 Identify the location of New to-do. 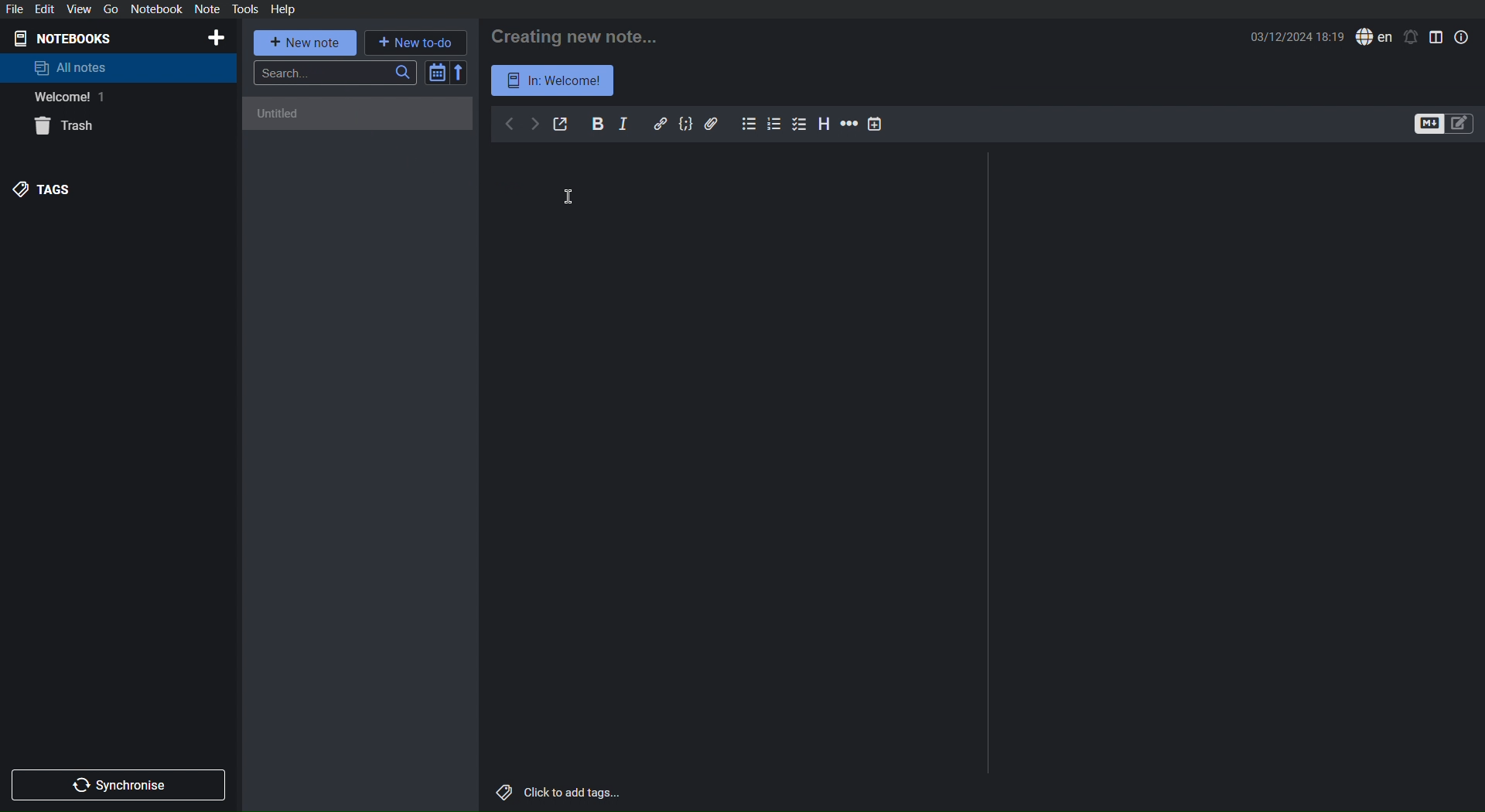
(415, 41).